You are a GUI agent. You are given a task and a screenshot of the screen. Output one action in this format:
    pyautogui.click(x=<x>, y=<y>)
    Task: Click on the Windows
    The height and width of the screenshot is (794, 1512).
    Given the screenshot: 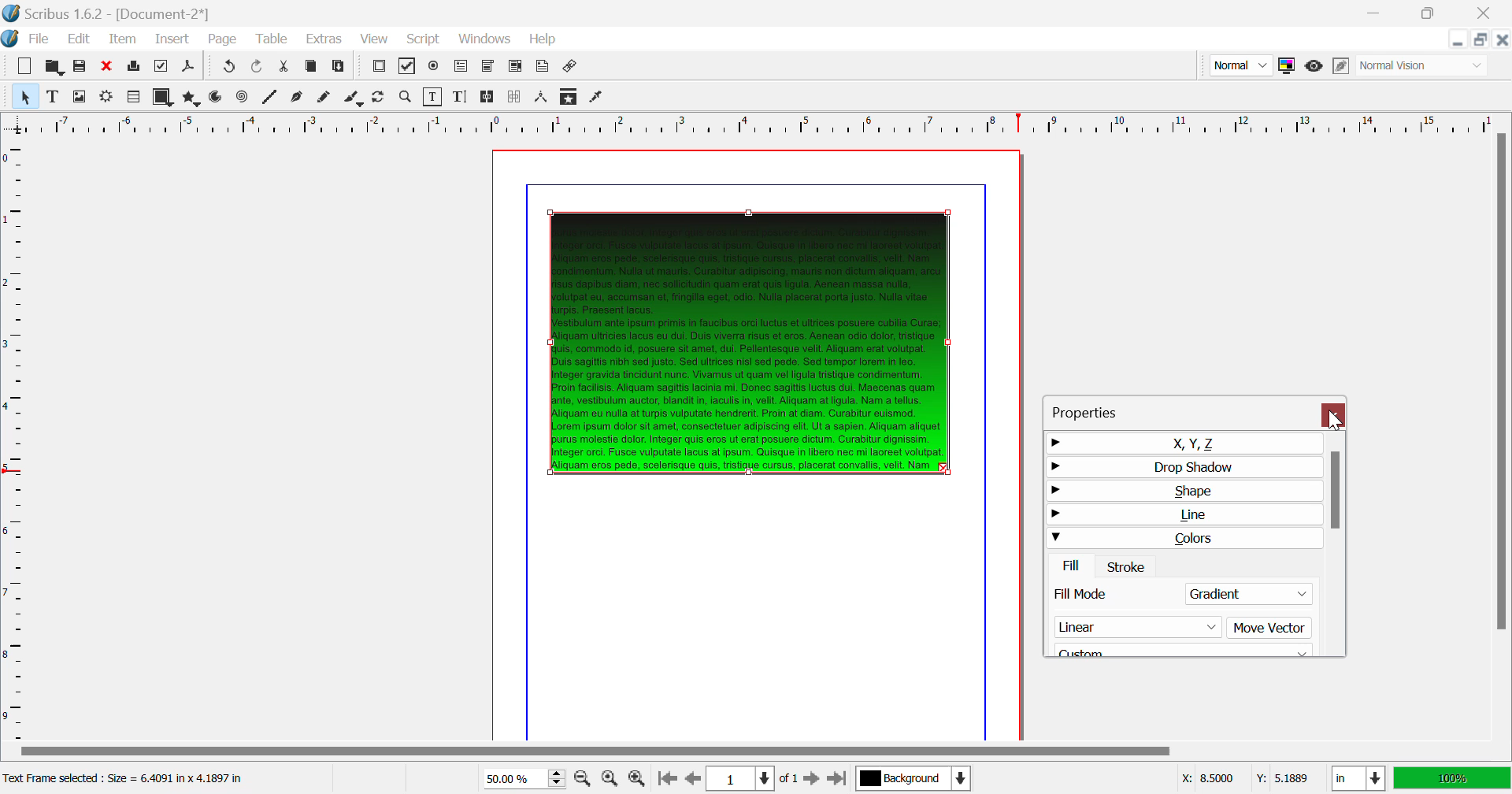 What is the action you would take?
    pyautogui.click(x=485, y=39)
    